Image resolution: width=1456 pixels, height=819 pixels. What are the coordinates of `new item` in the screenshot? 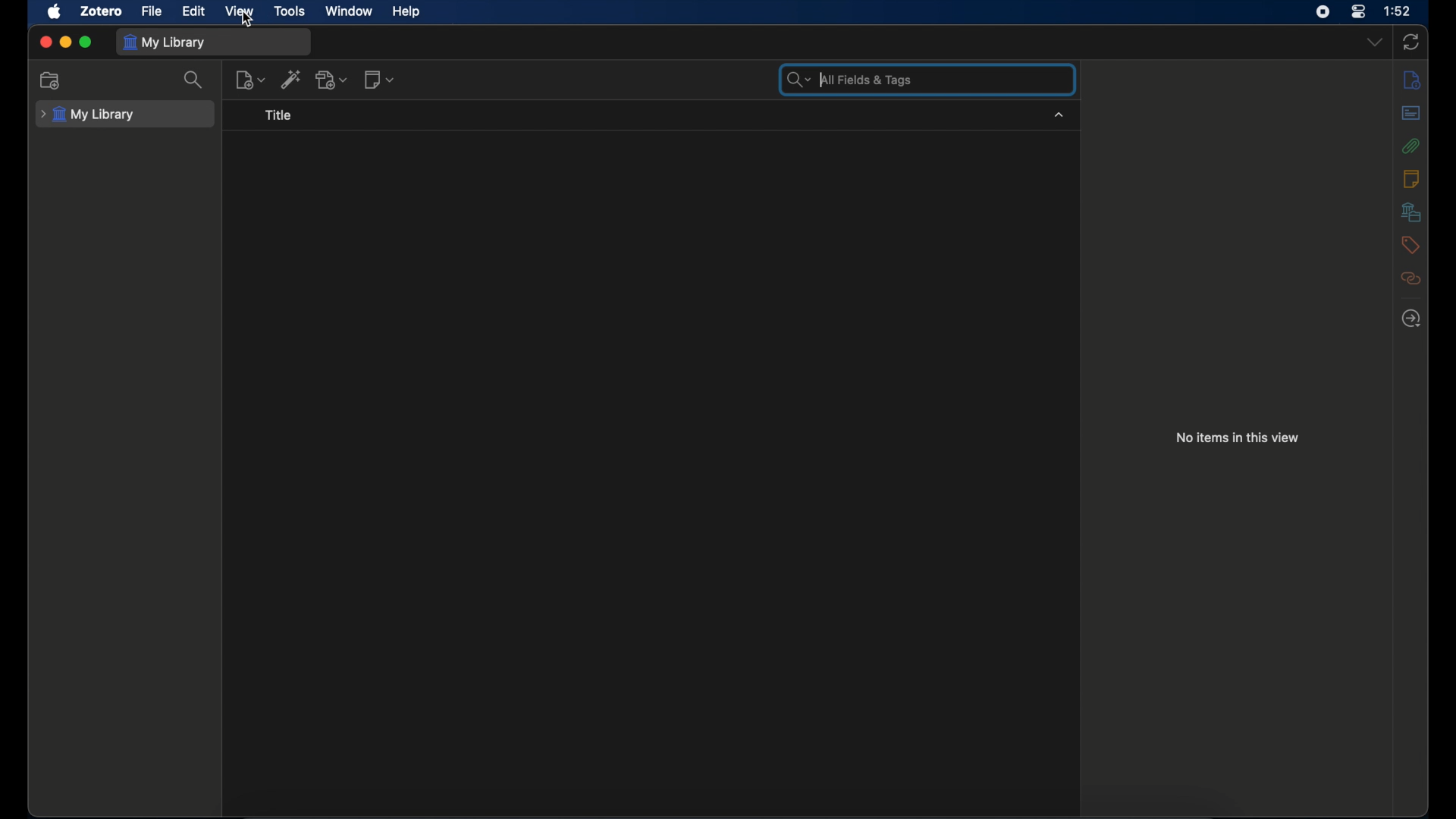 It's located at (250, 80).